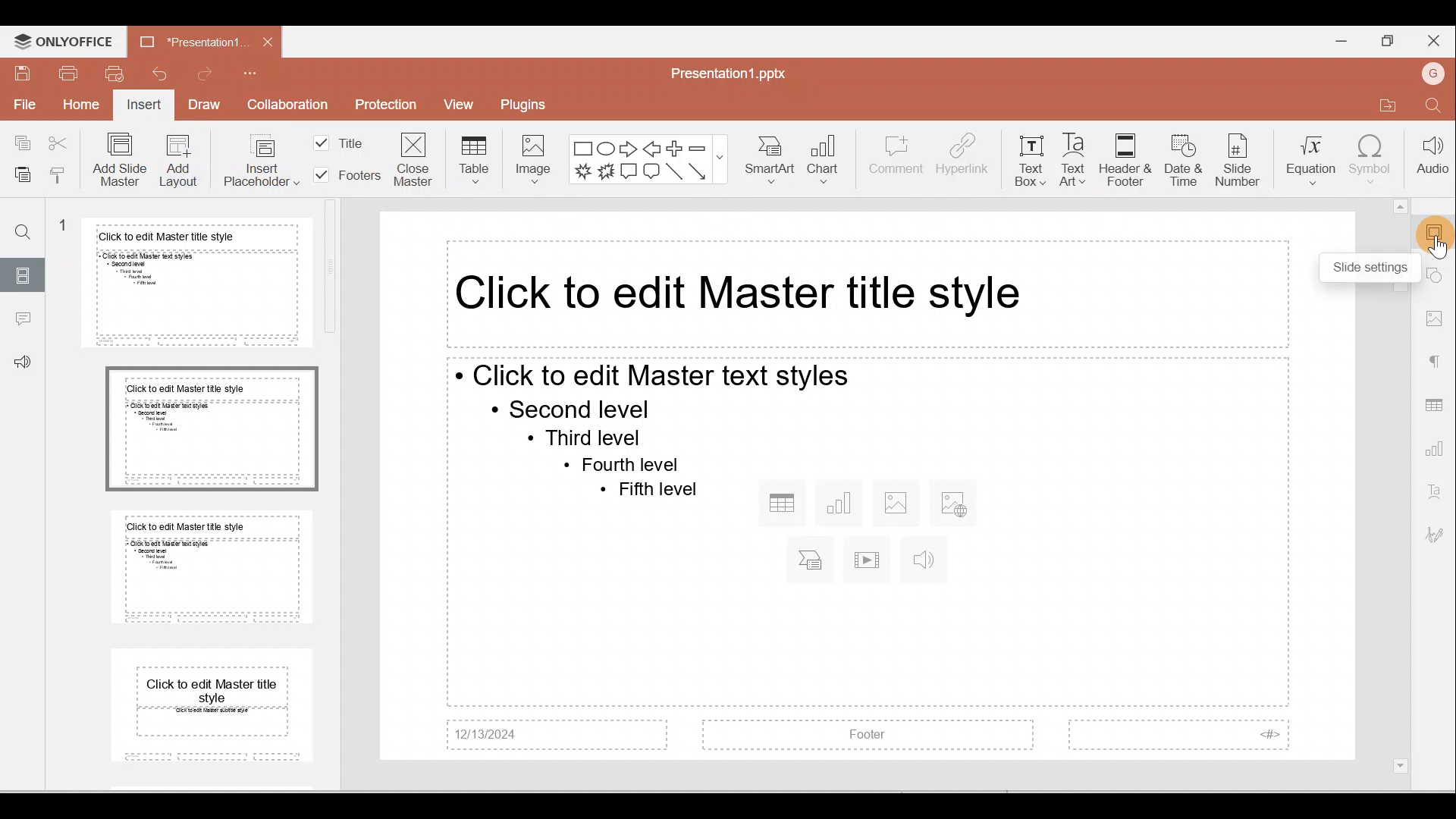 The height and width of the screenshot is (819, 1456). What do you see at coordinates (331, 272) in the screenshot?
I see `vertical scrollbar` at bounding box center [331, 272].